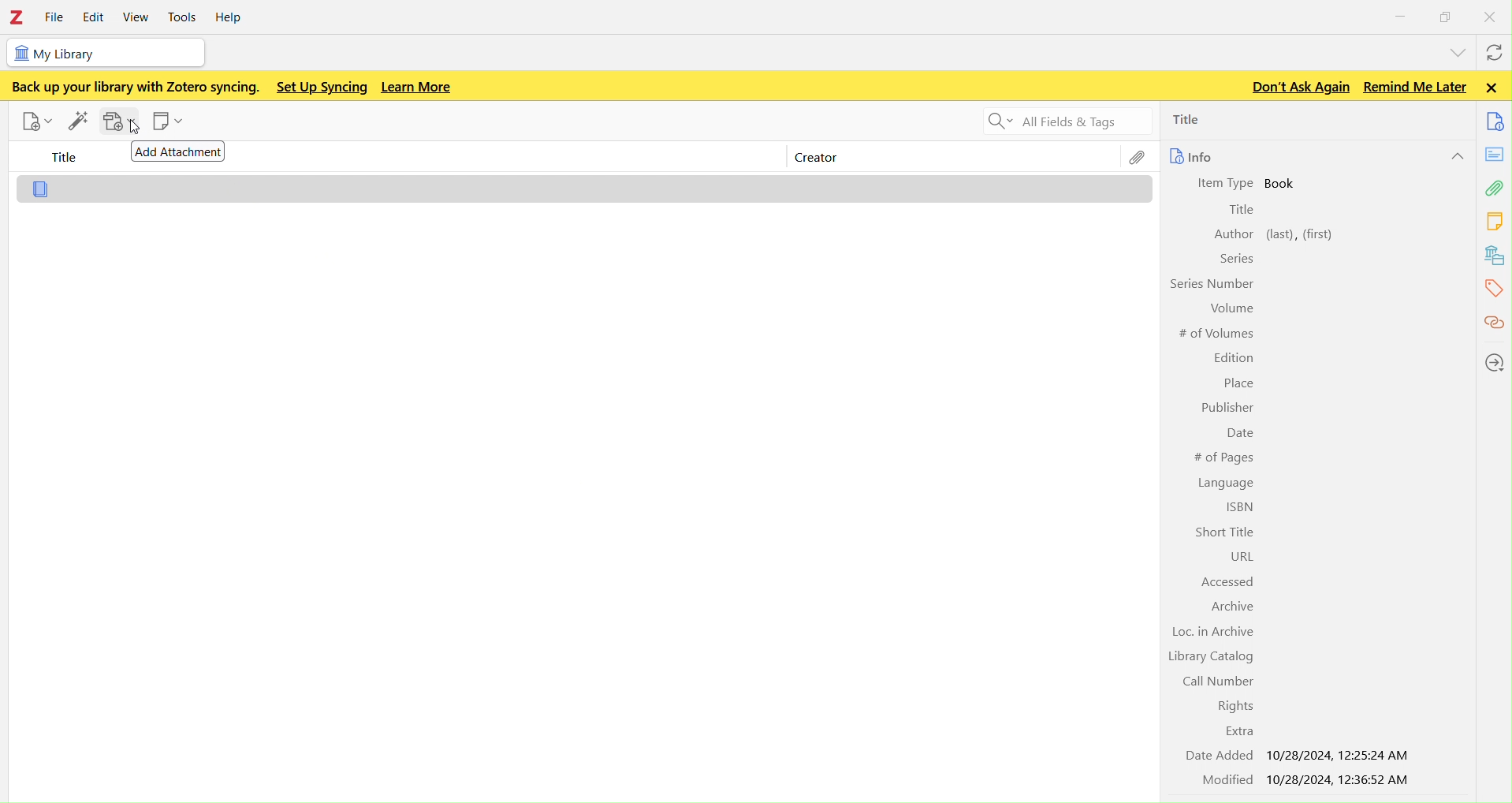 This screenshot has width=1512, height=803. I want to click on locations, so click(1493, 364).